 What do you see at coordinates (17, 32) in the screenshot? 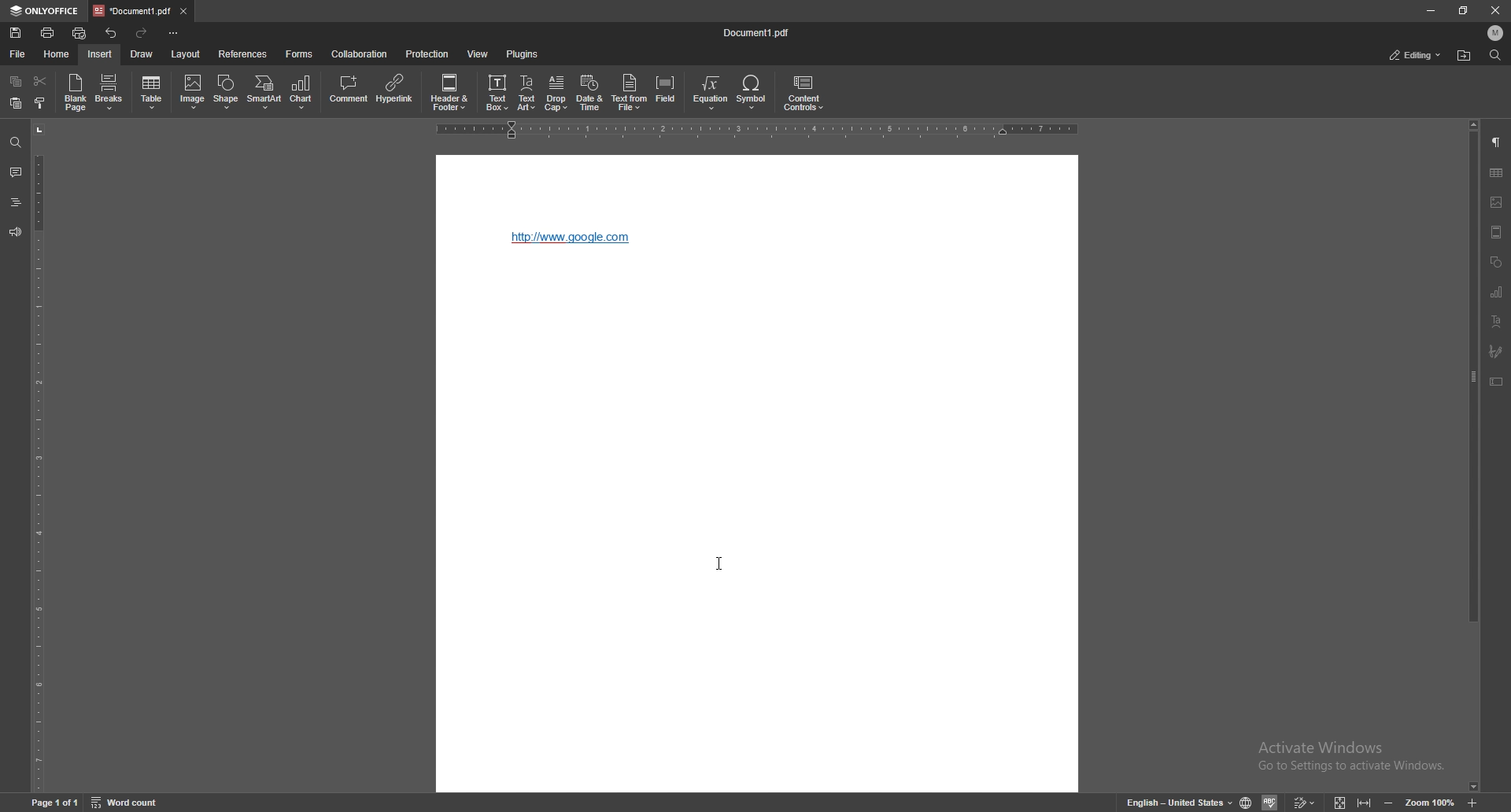
I see `save` at bounding box center [17, 32].